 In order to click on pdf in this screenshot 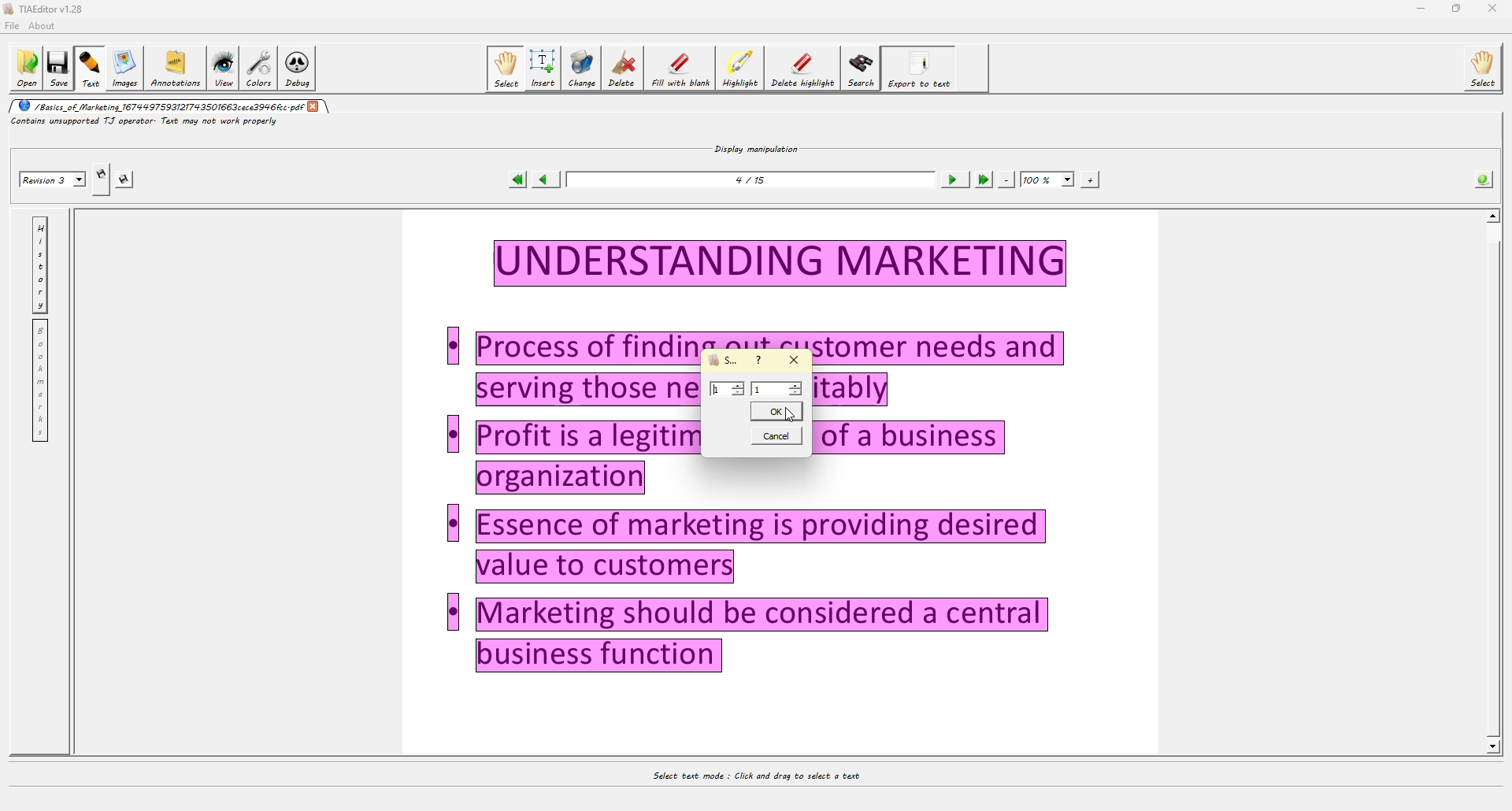, I will do `click(155, 106)`.